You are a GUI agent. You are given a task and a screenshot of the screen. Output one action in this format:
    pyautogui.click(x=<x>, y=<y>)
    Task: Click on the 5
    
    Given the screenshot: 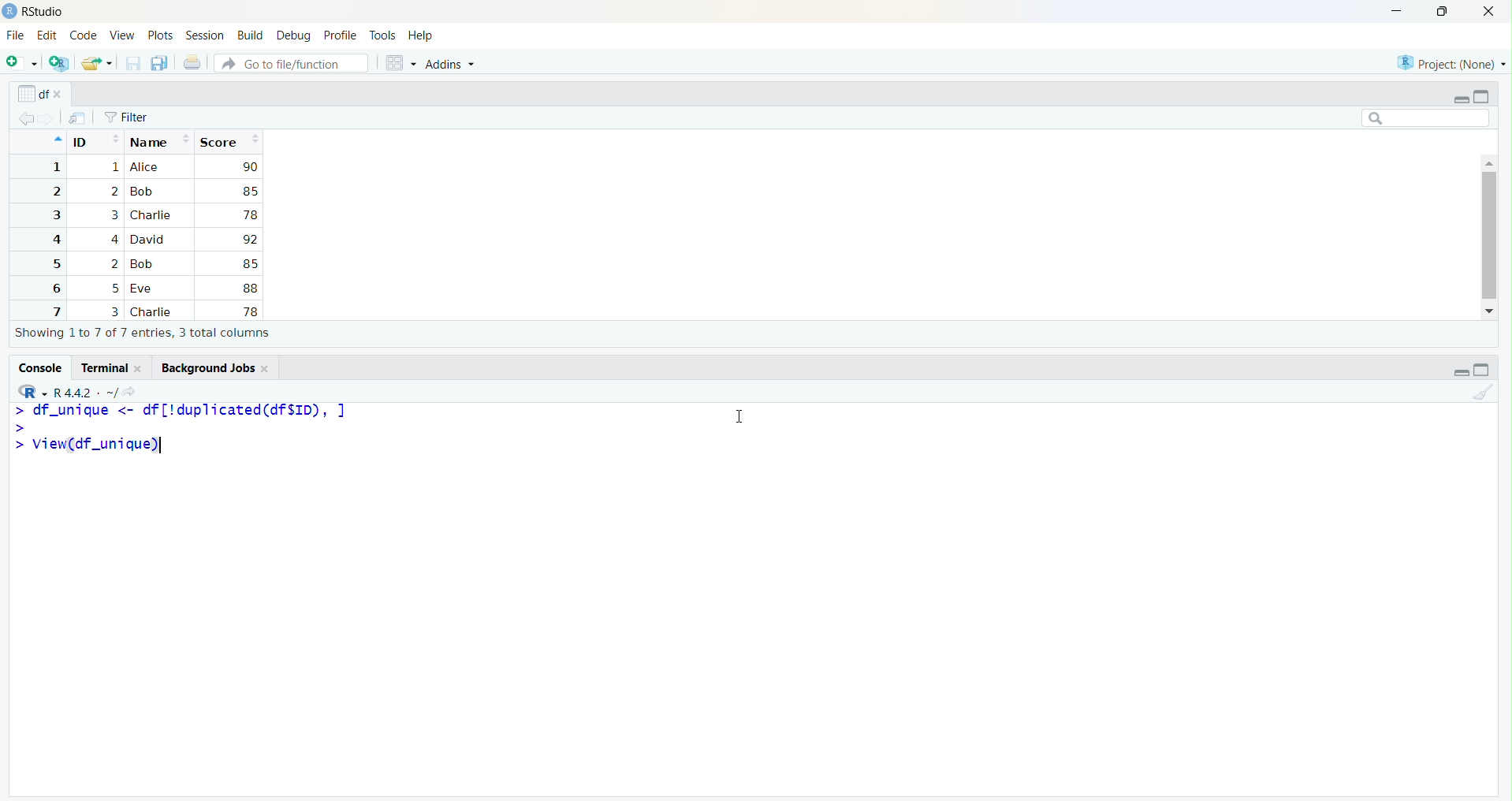 What is the action you would take?
    pyautogui.click(x=116, y=289)
    